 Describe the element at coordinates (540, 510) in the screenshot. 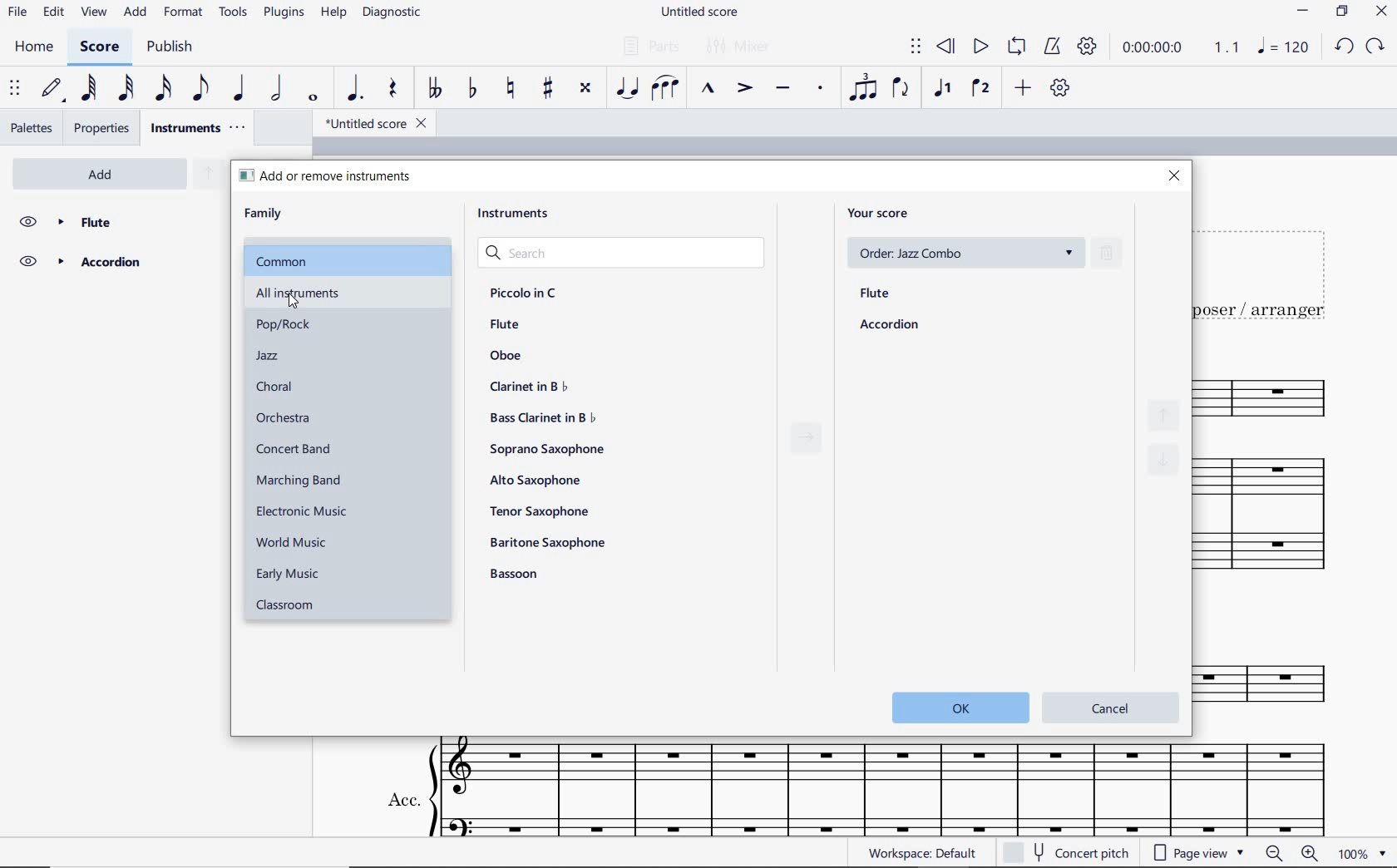

I see `Tenor Saxophone` at that location.